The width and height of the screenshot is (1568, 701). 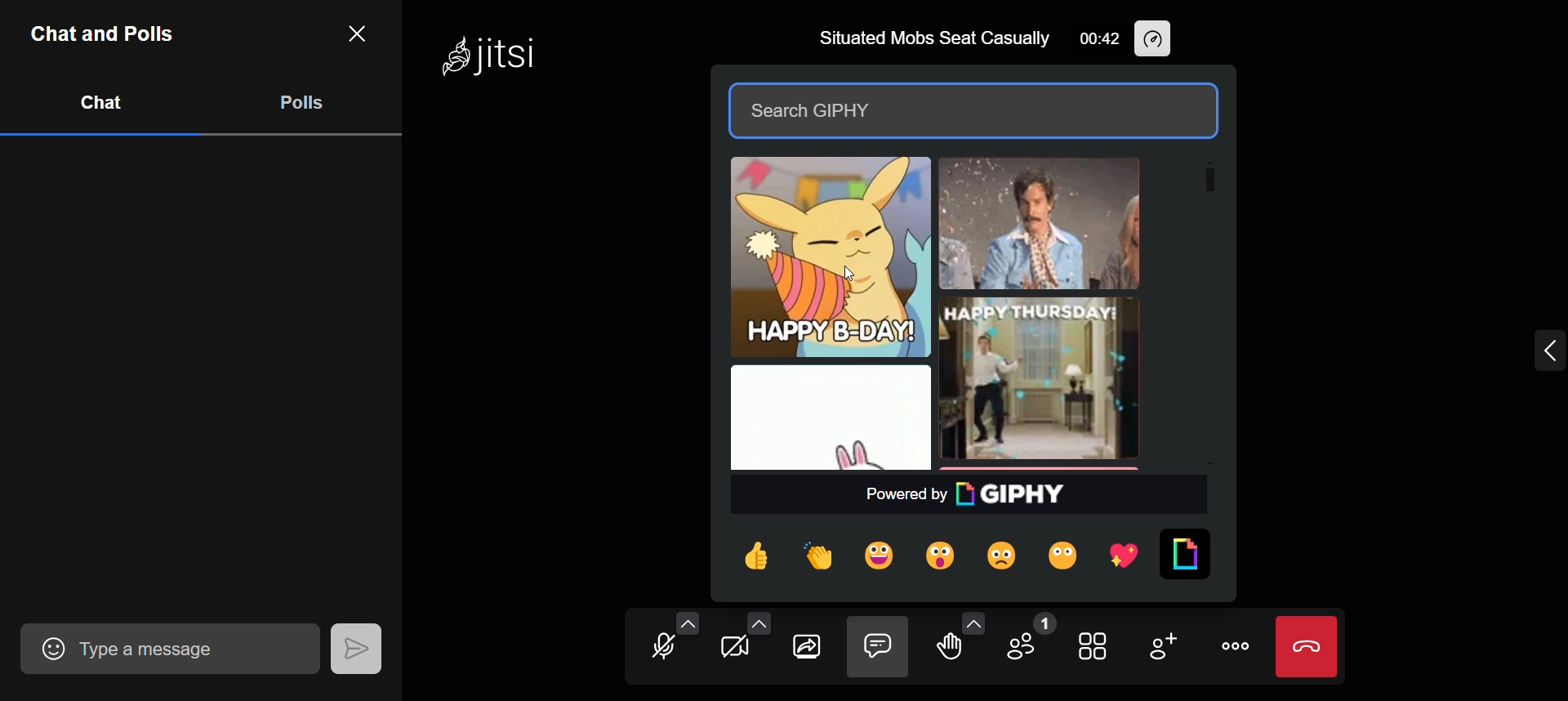 I want to click on Situated Mobs Seat Casually, so click(x=935, y=37).